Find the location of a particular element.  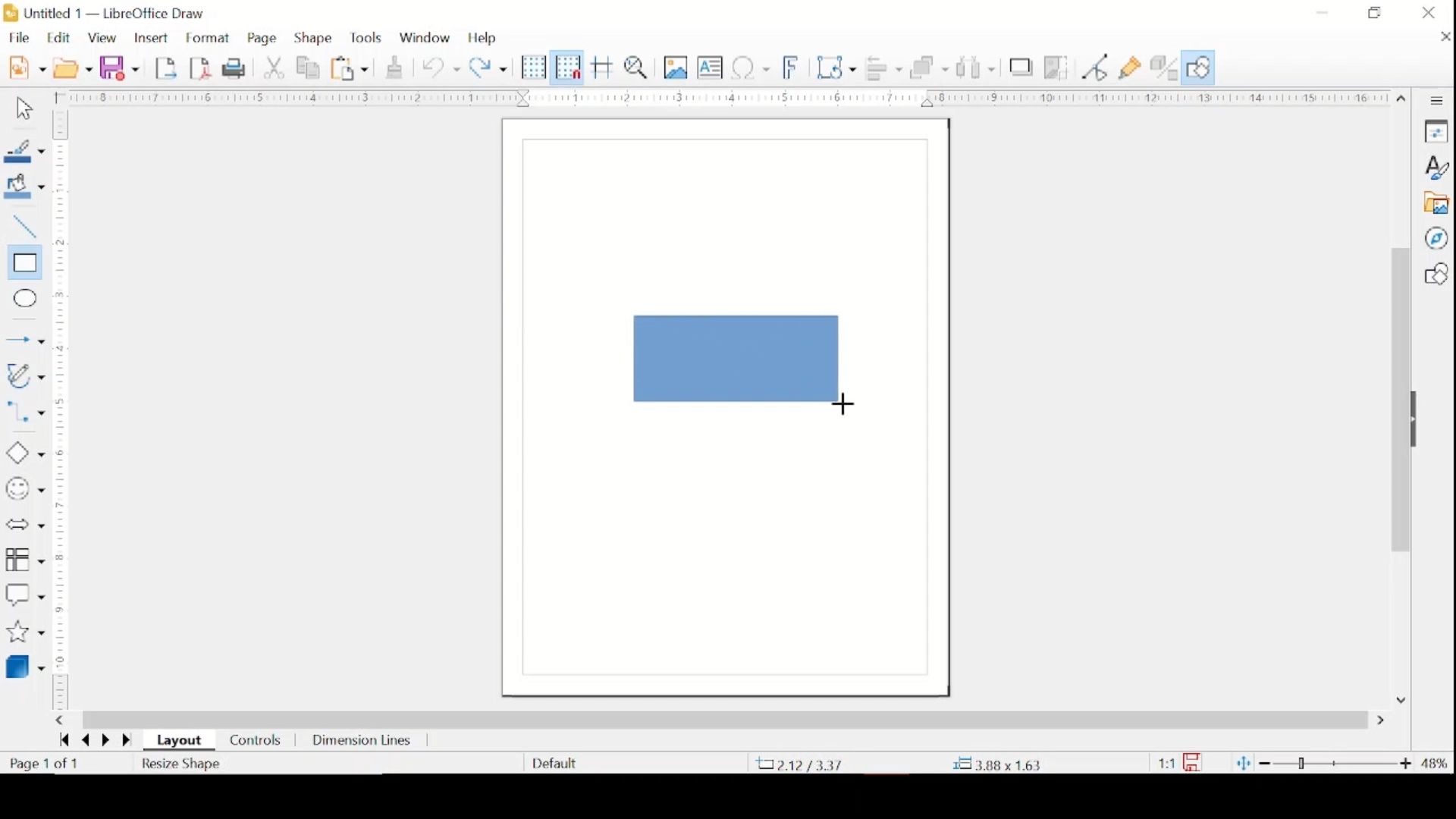

insert fontwork text is located at coordinates (792, 66).